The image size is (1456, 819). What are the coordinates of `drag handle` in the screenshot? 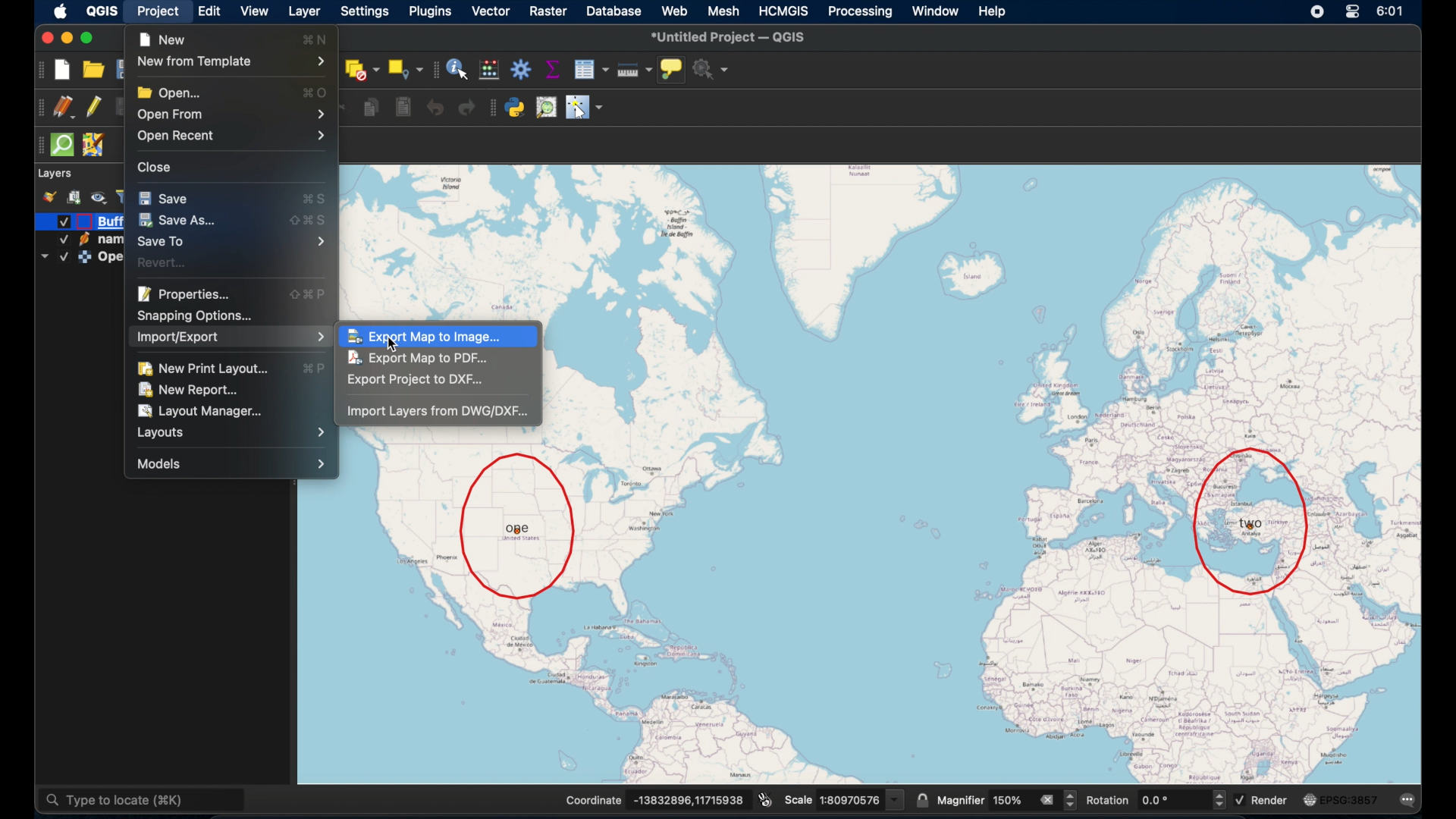 It's located at (37, 145).